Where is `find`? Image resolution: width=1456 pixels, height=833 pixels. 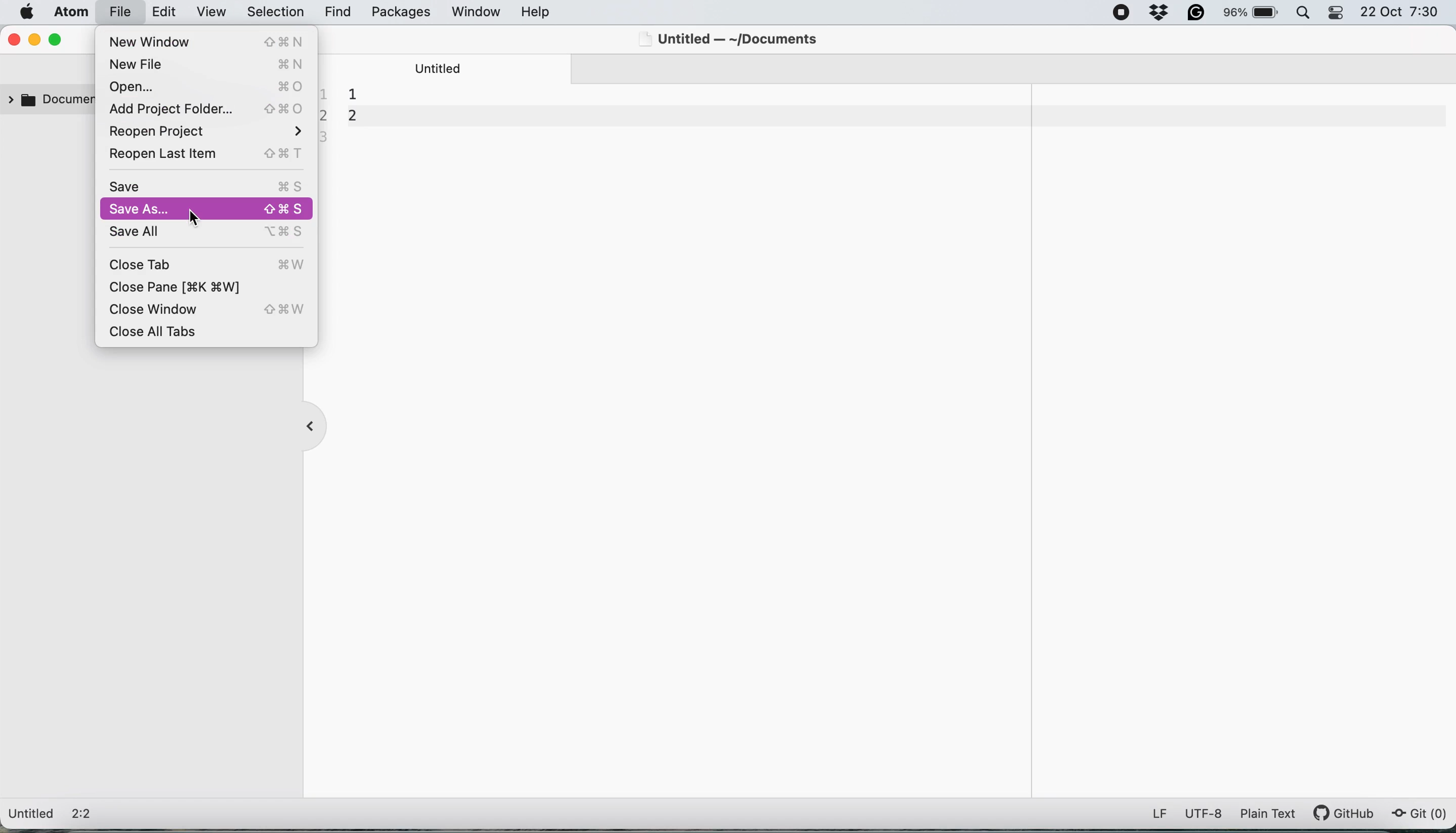 find is located at coordinates (339, 13).